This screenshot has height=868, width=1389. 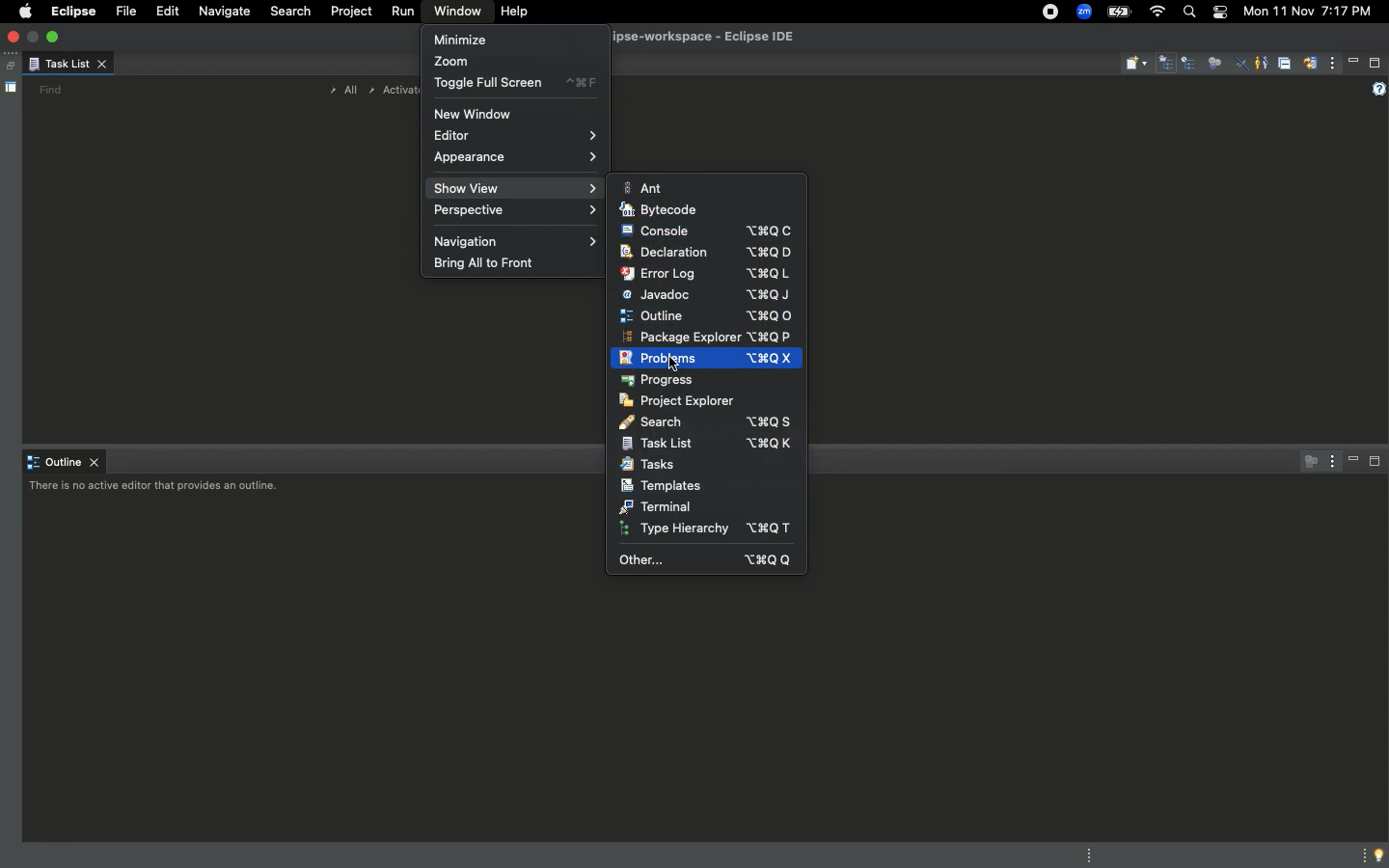 What do you see at coordinates (394, 90) in the screenshot?
I see `Activate` at bounding box center [394, 90].